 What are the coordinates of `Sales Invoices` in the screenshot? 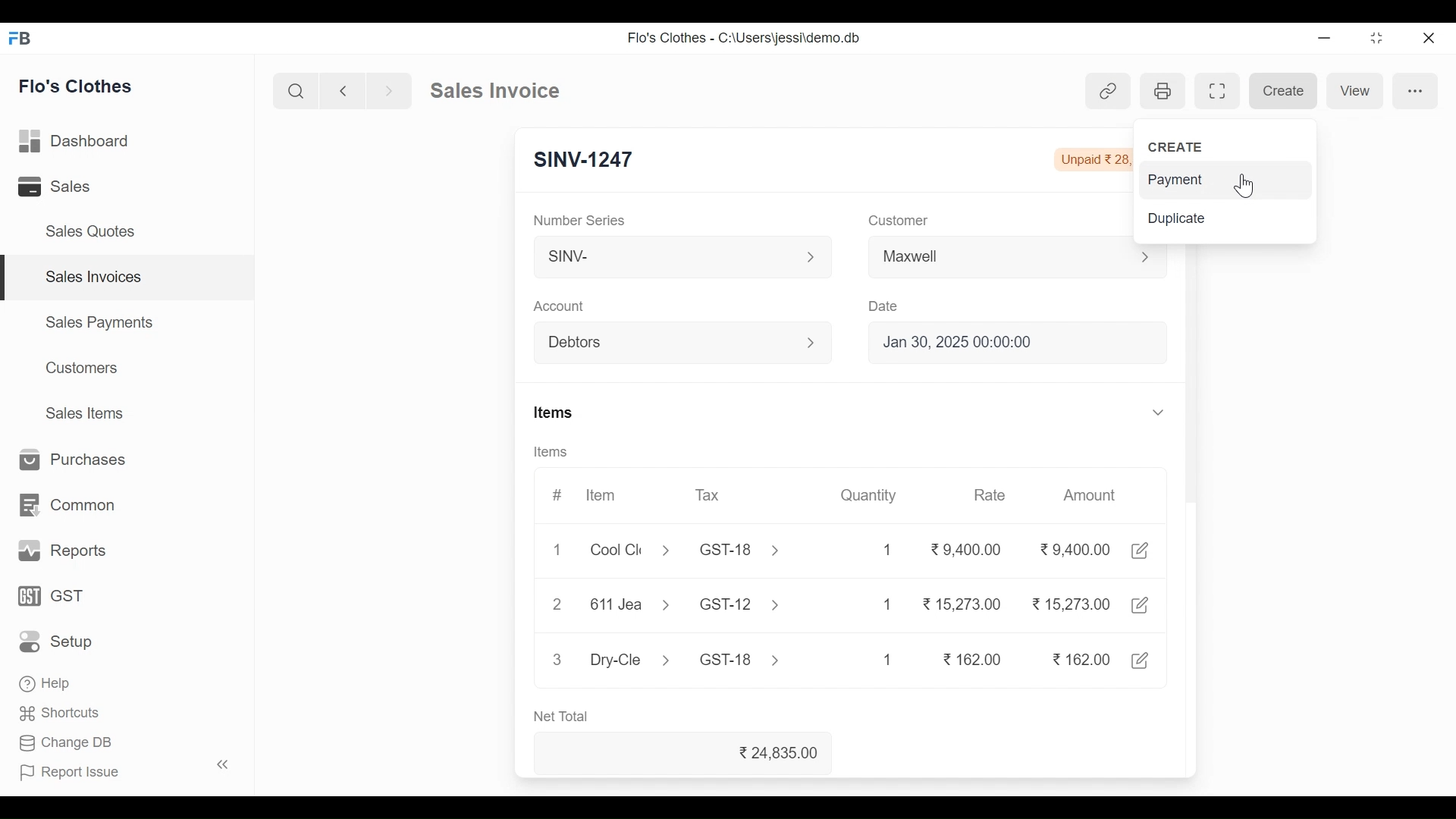 It's located at (129, 278).